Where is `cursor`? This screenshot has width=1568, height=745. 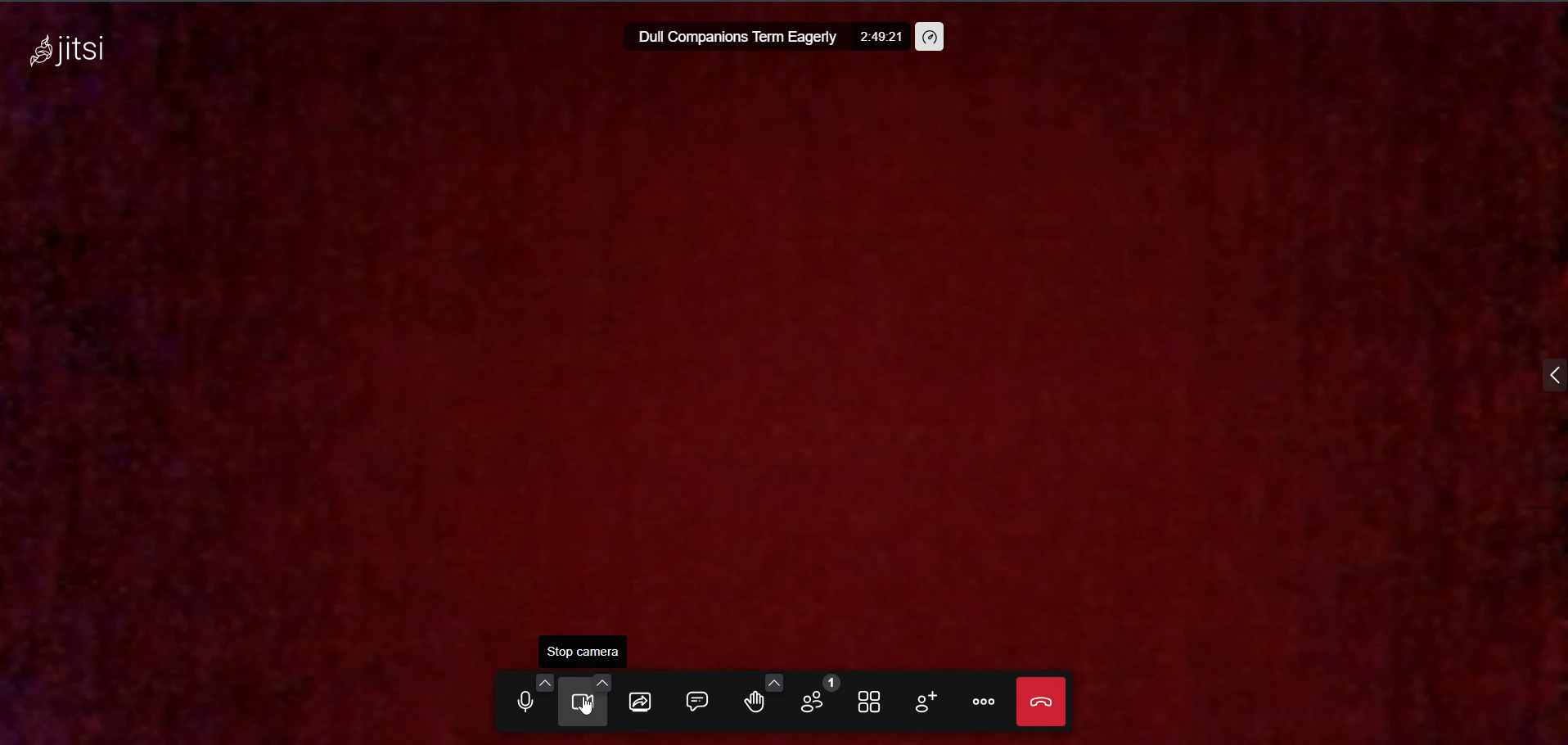 cursor is located at coordinates (582, 713).